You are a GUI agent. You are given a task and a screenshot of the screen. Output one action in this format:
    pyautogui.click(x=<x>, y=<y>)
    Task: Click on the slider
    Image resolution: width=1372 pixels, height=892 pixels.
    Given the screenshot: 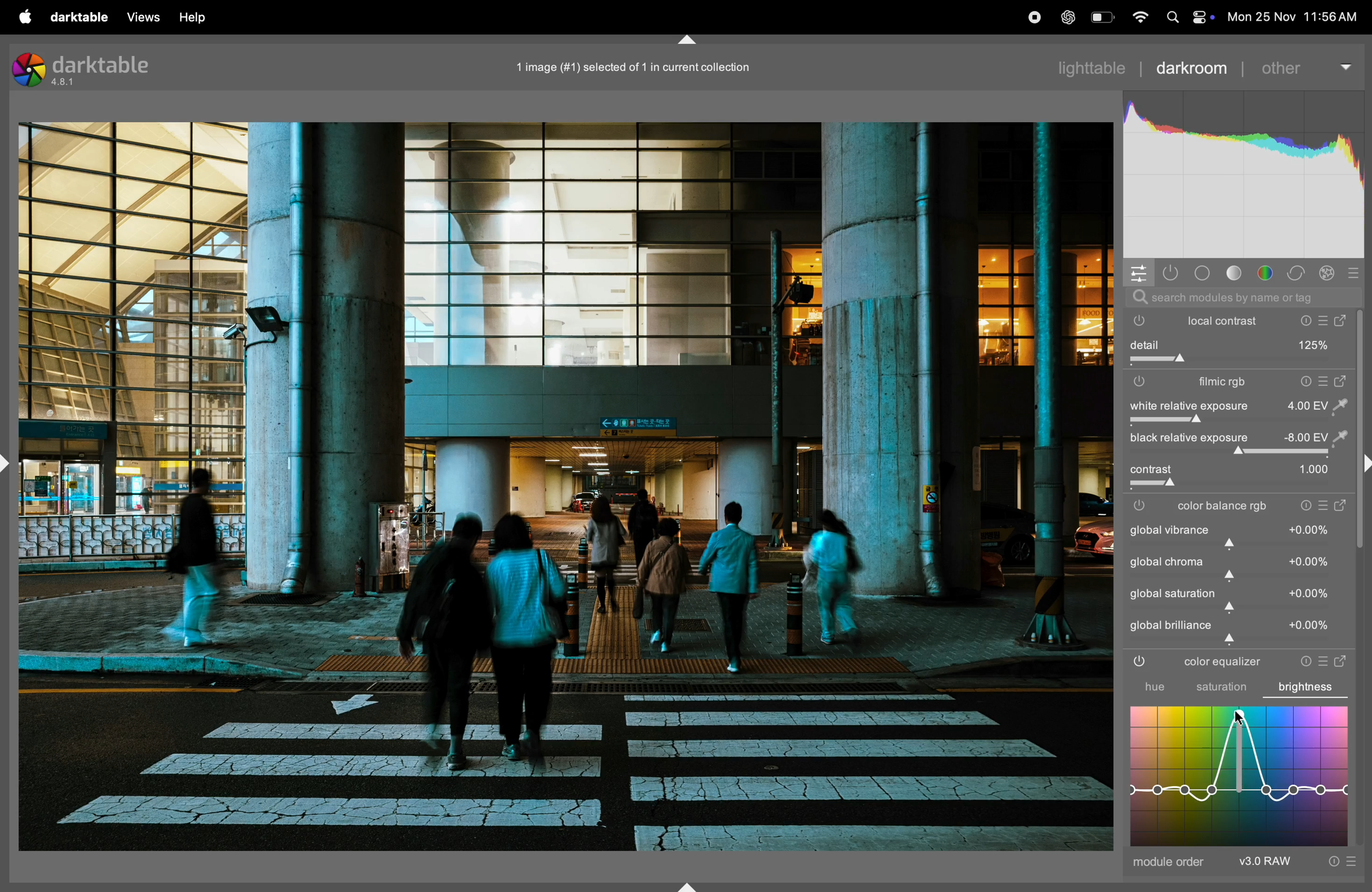 What is the action you would take?
    pyautogui.click(x=1243, y=641)
    